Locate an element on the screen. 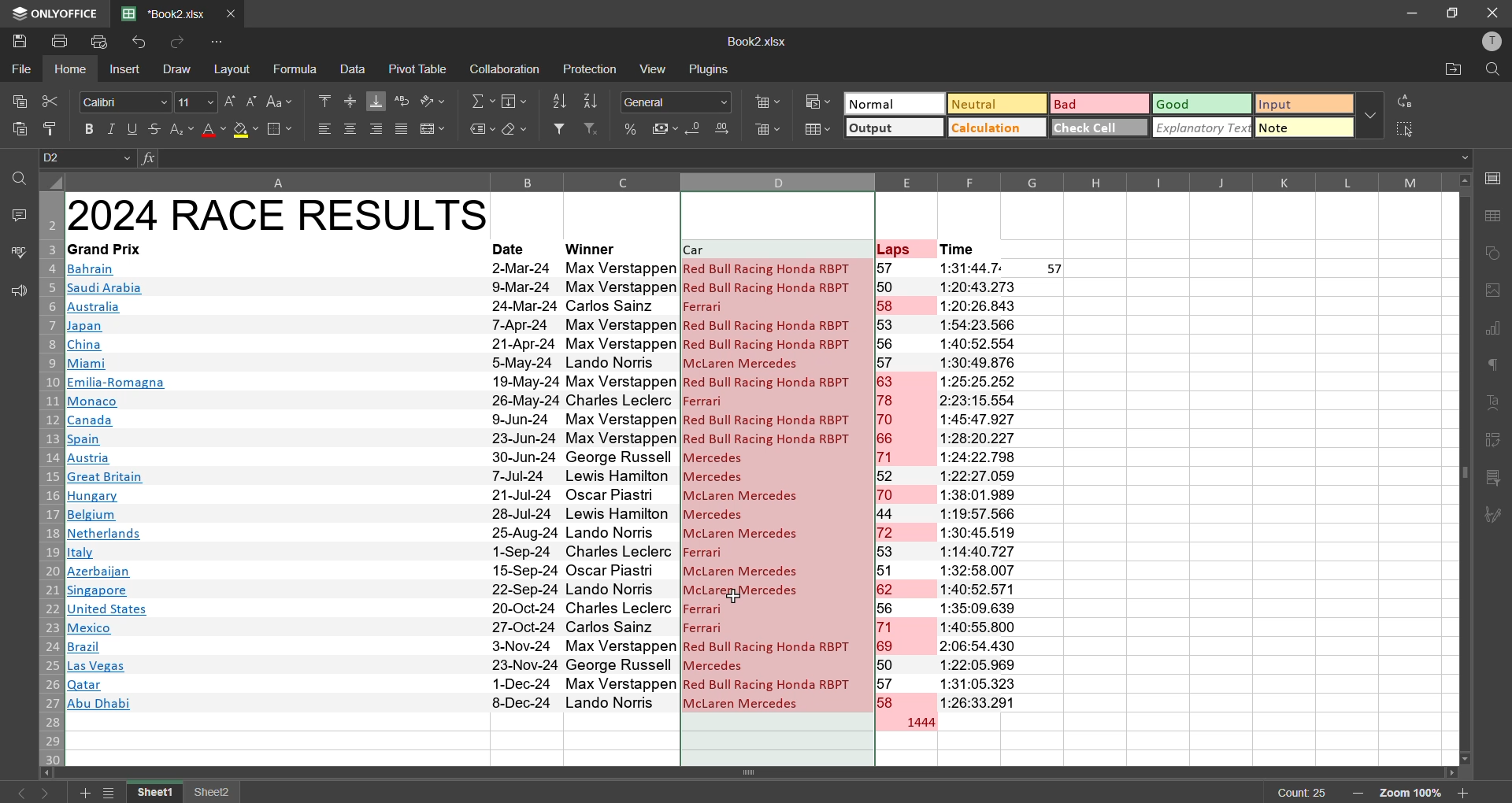 This screenshot has width=1512, height=803. print is located at coordinates (62, 40).